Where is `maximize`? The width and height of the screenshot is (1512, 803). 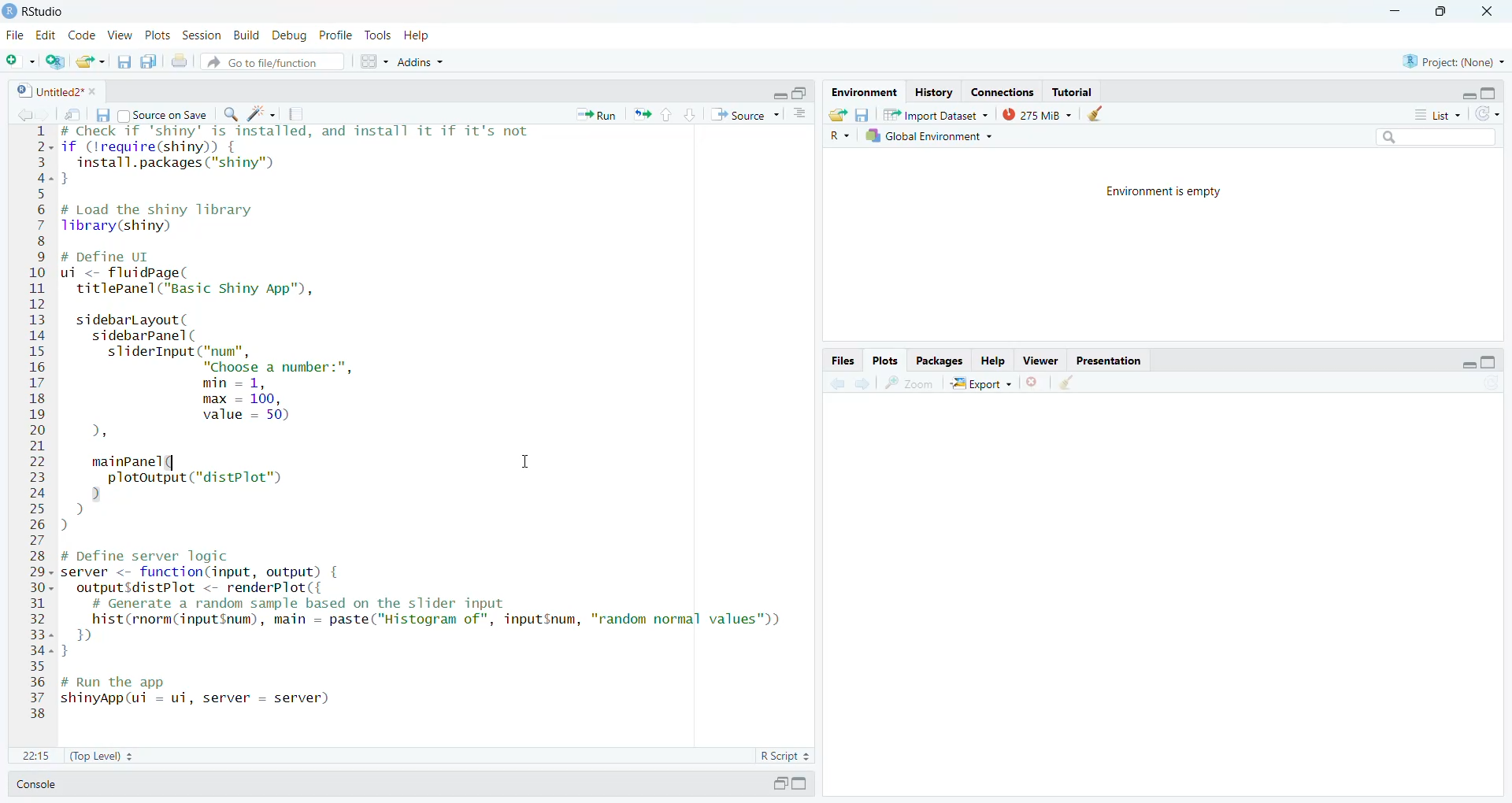 maximize is located at coordinates (1490, 93).